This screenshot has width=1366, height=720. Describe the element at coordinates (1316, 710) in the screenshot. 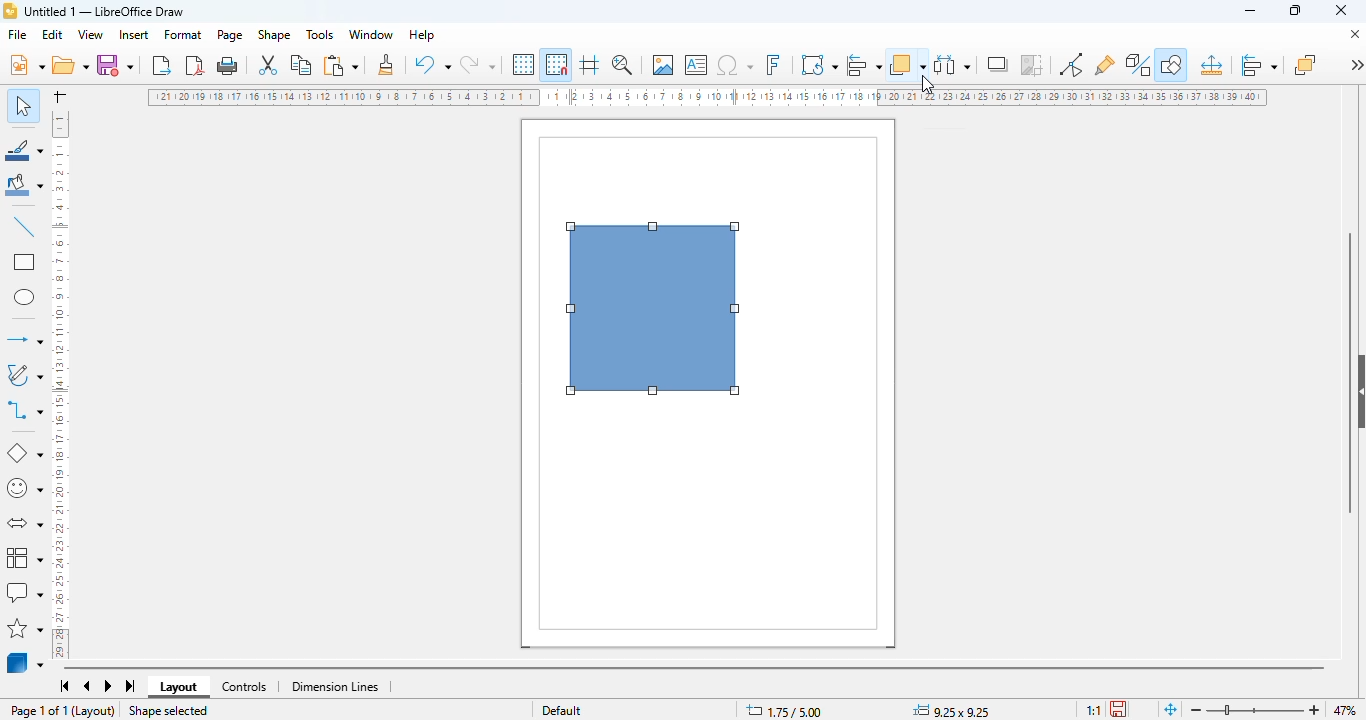

I see `zoom in` at that location.